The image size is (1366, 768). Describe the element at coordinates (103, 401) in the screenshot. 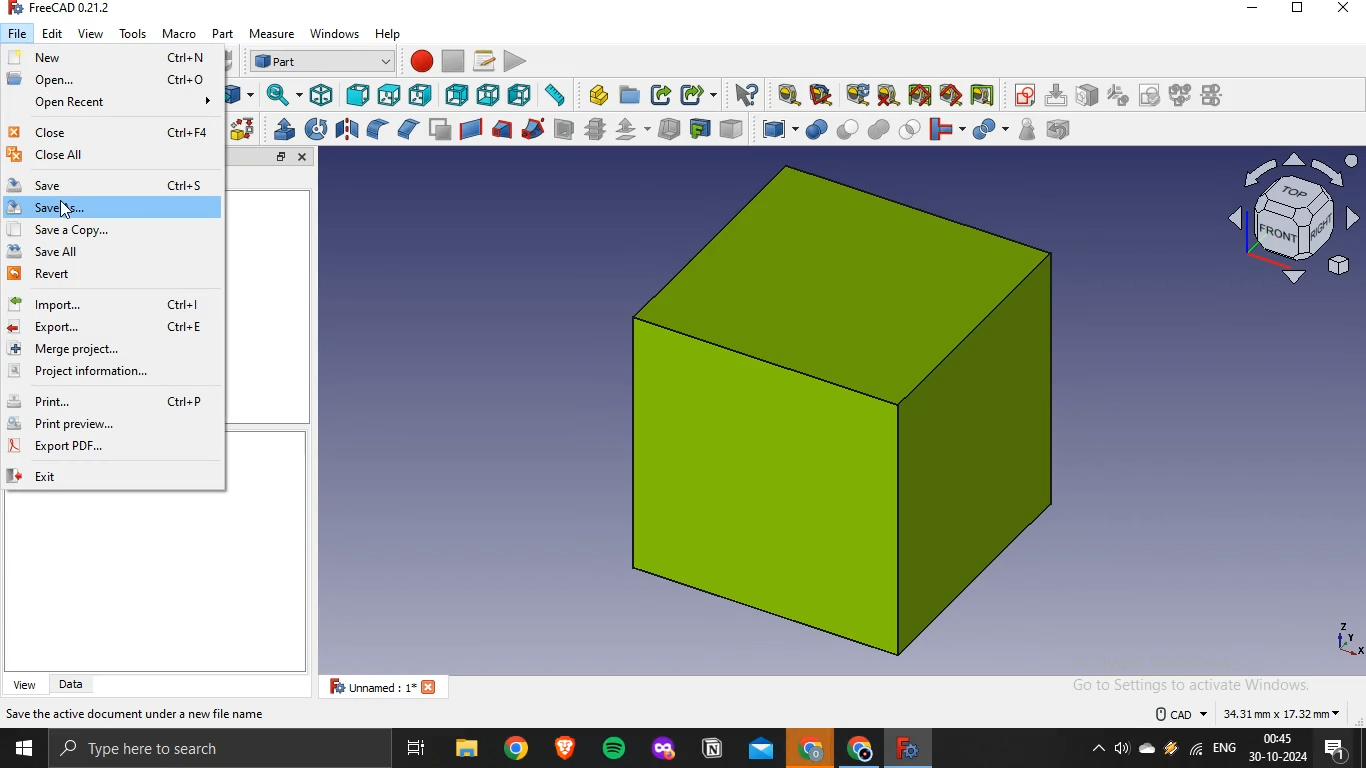

I see `print` at that location.